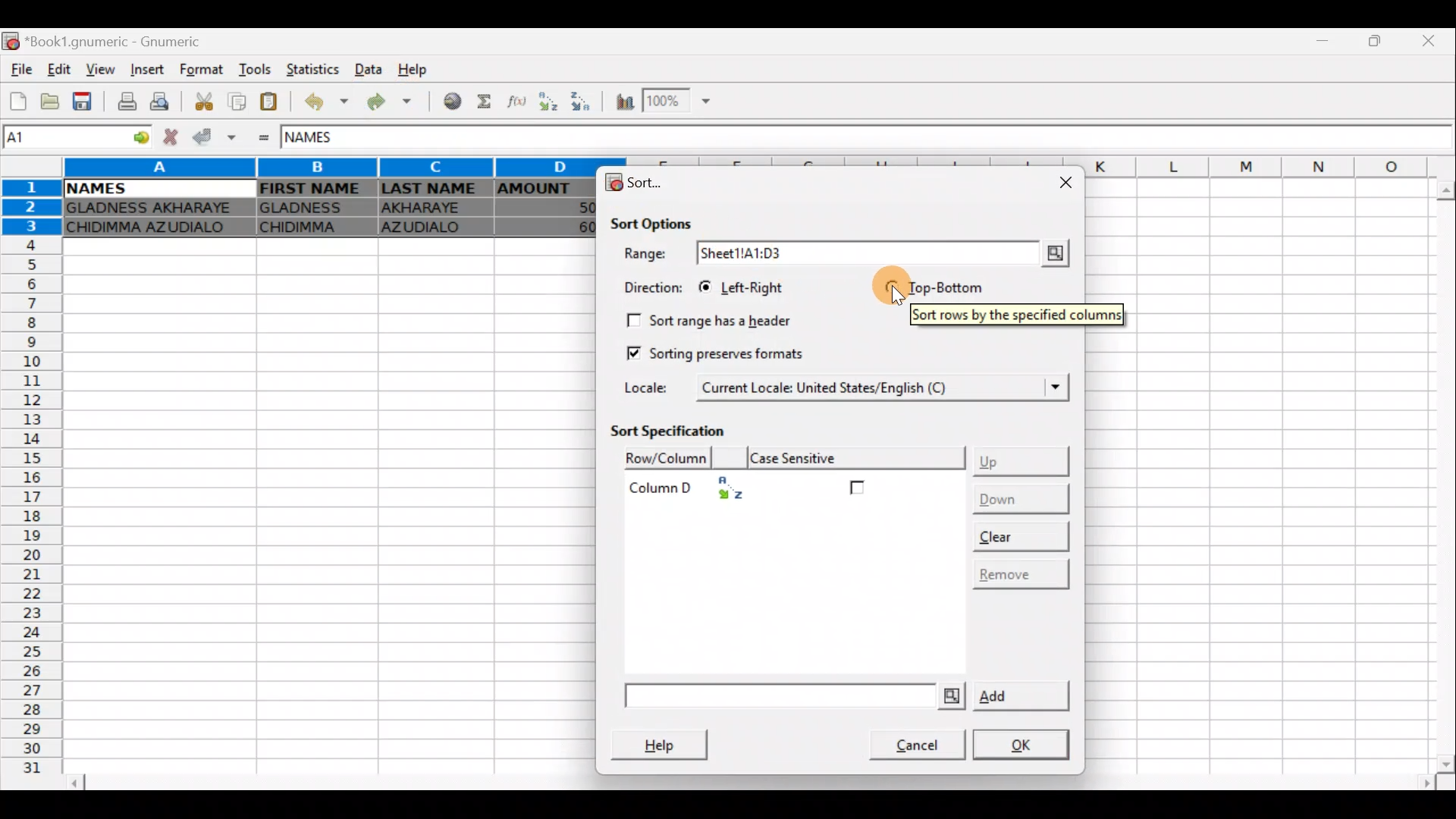 The height and width of the screenshot is (819, 1456). What do you see at coordinates (748, 287) in the screenshot?
I see `Left-right` at bounding box center [748, 287].